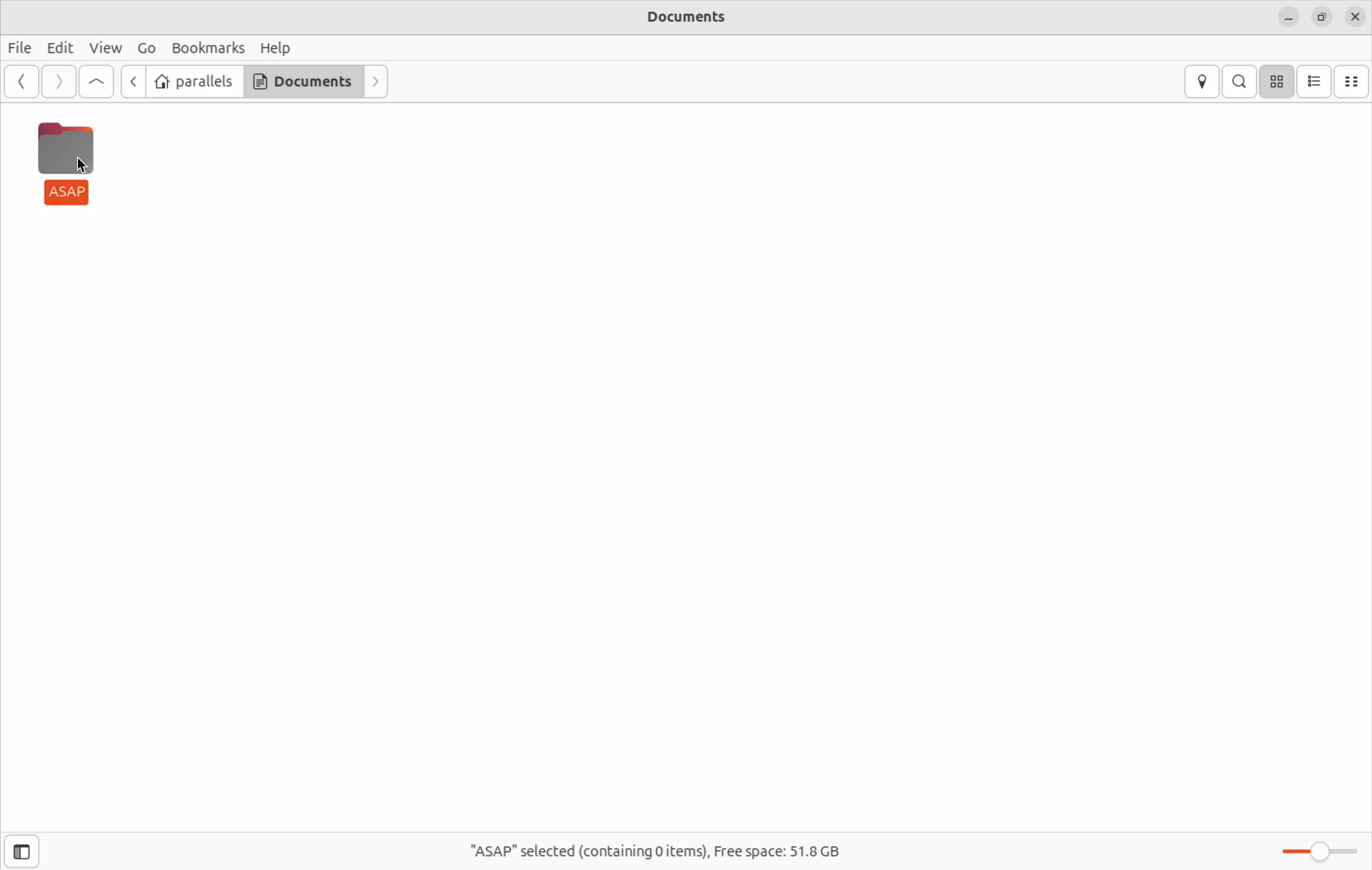 The image size is (1372, 870). What do you see at coordinates (303, 83) in the screenshot?
I see `Documents` at bounding box center [303, 83].